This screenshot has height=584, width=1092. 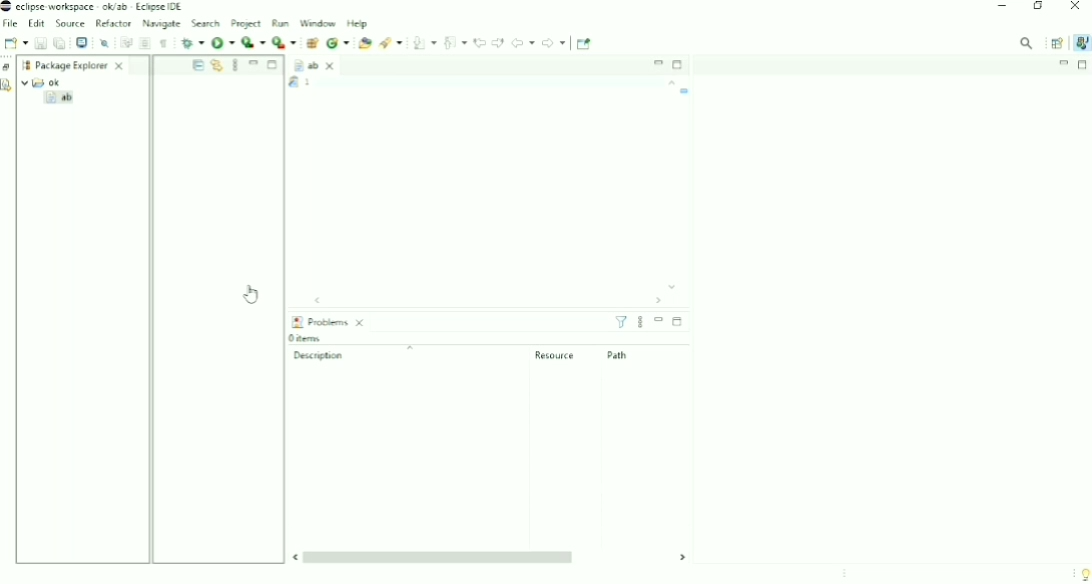 What do you see at coordinates (365, 43) in the screenshot?
I see `Open Type` at bounding box center [365, 43].